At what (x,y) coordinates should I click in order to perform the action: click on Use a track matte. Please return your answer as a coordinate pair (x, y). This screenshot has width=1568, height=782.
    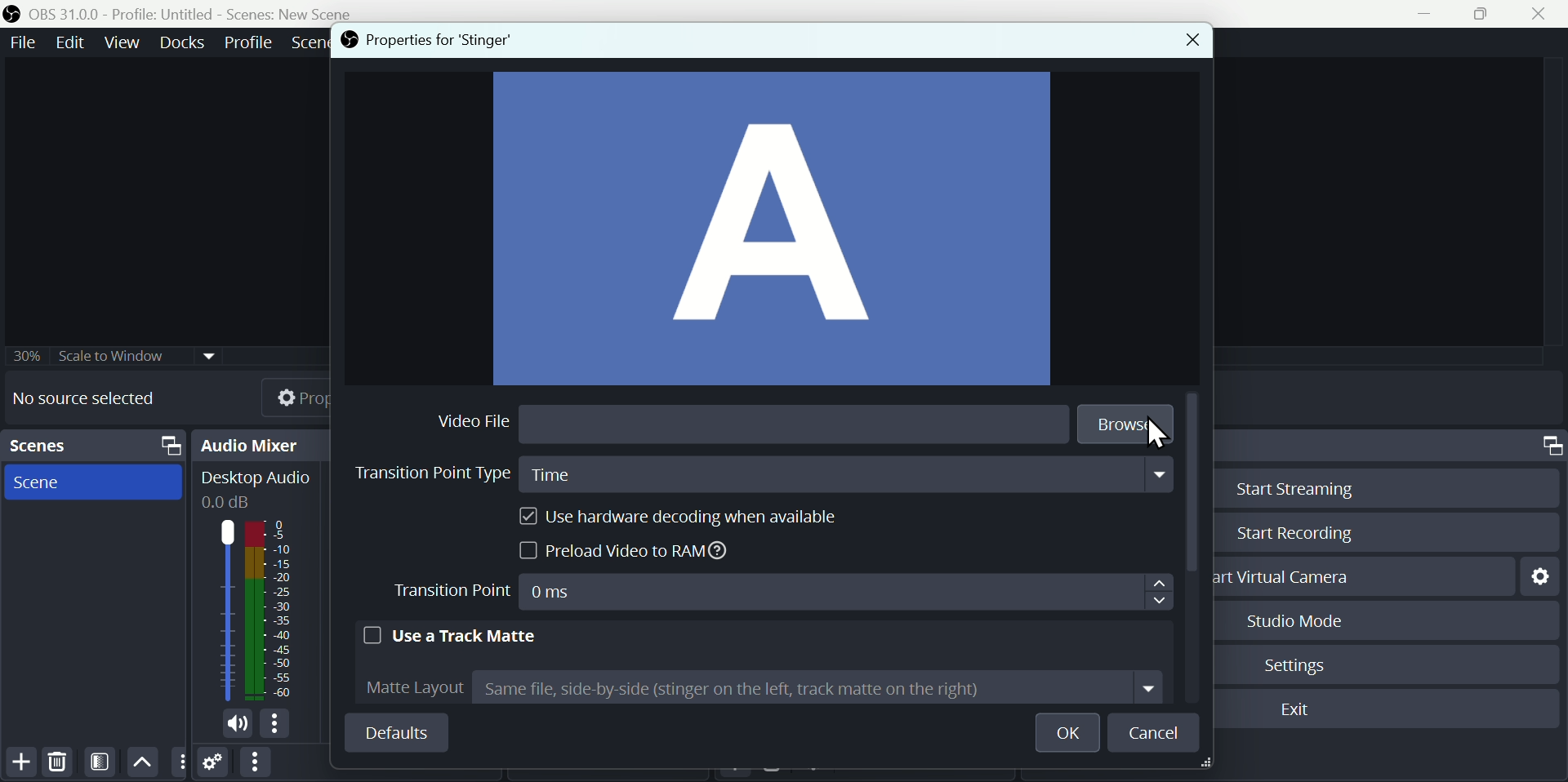
    Looking at the image, I should click on (451, 633).